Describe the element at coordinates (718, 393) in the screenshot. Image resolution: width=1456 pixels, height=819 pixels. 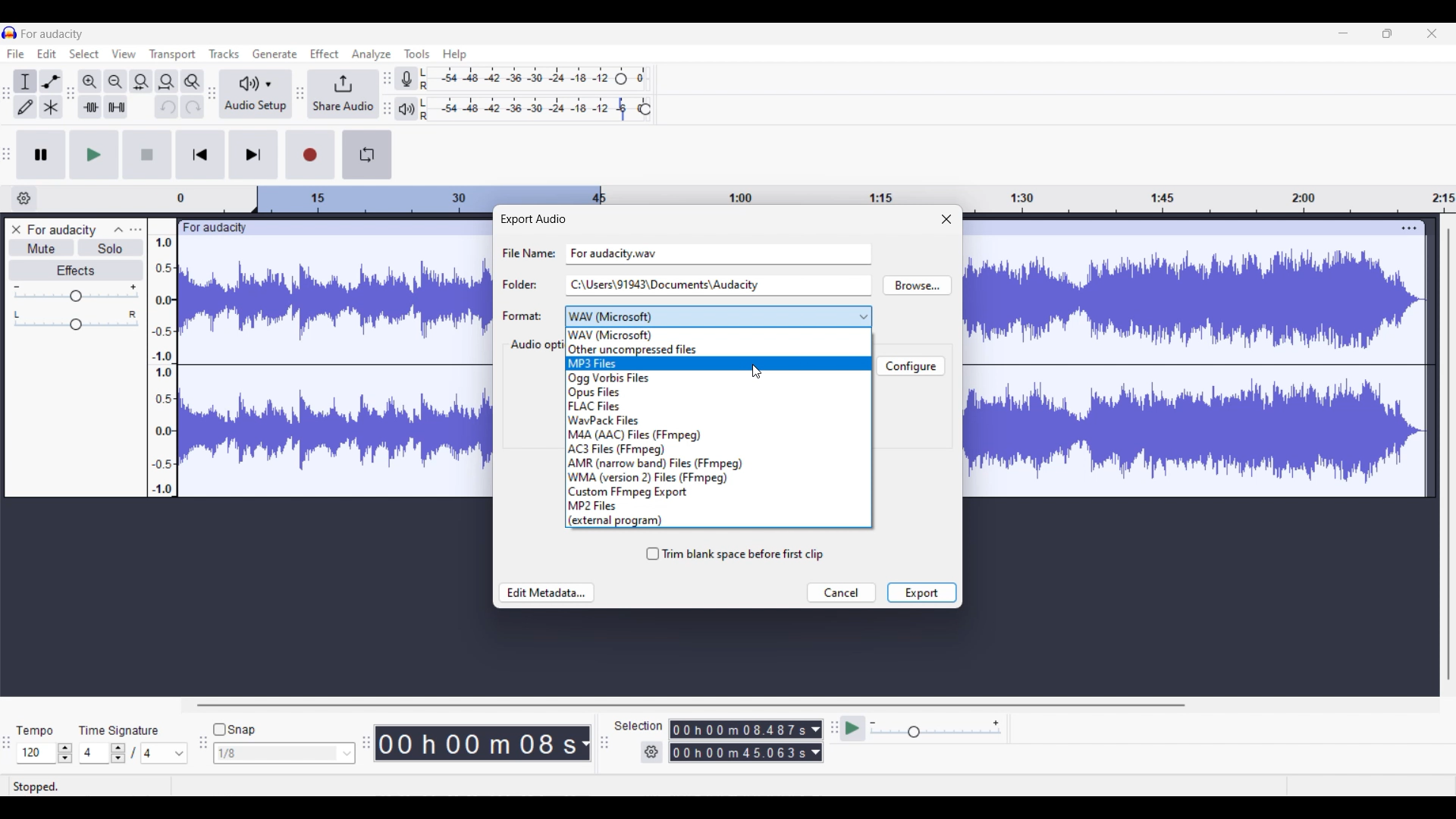
I see `Opus Files` at that location.